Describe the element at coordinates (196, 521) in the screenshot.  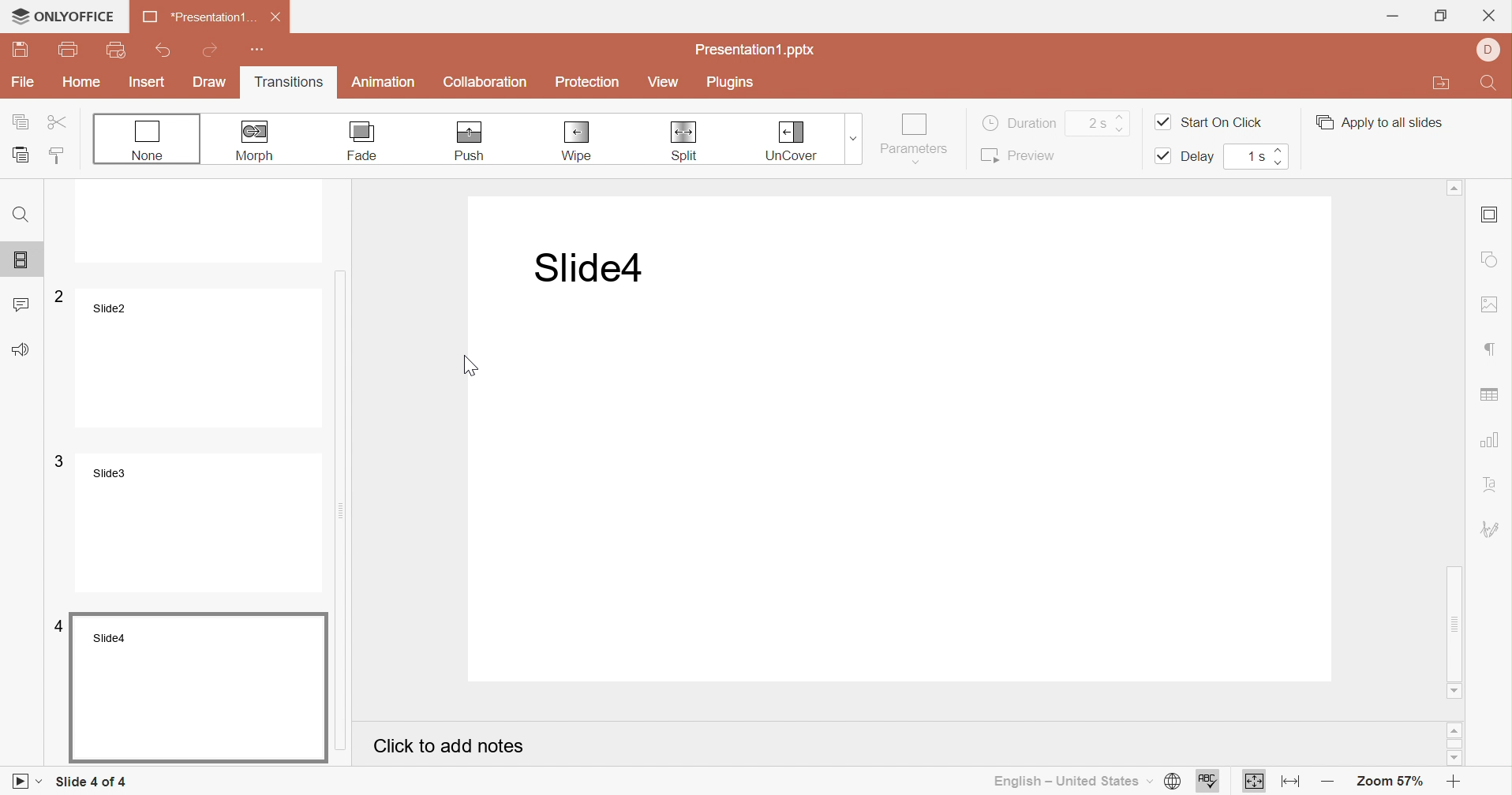
I see `Slide3` at that location.